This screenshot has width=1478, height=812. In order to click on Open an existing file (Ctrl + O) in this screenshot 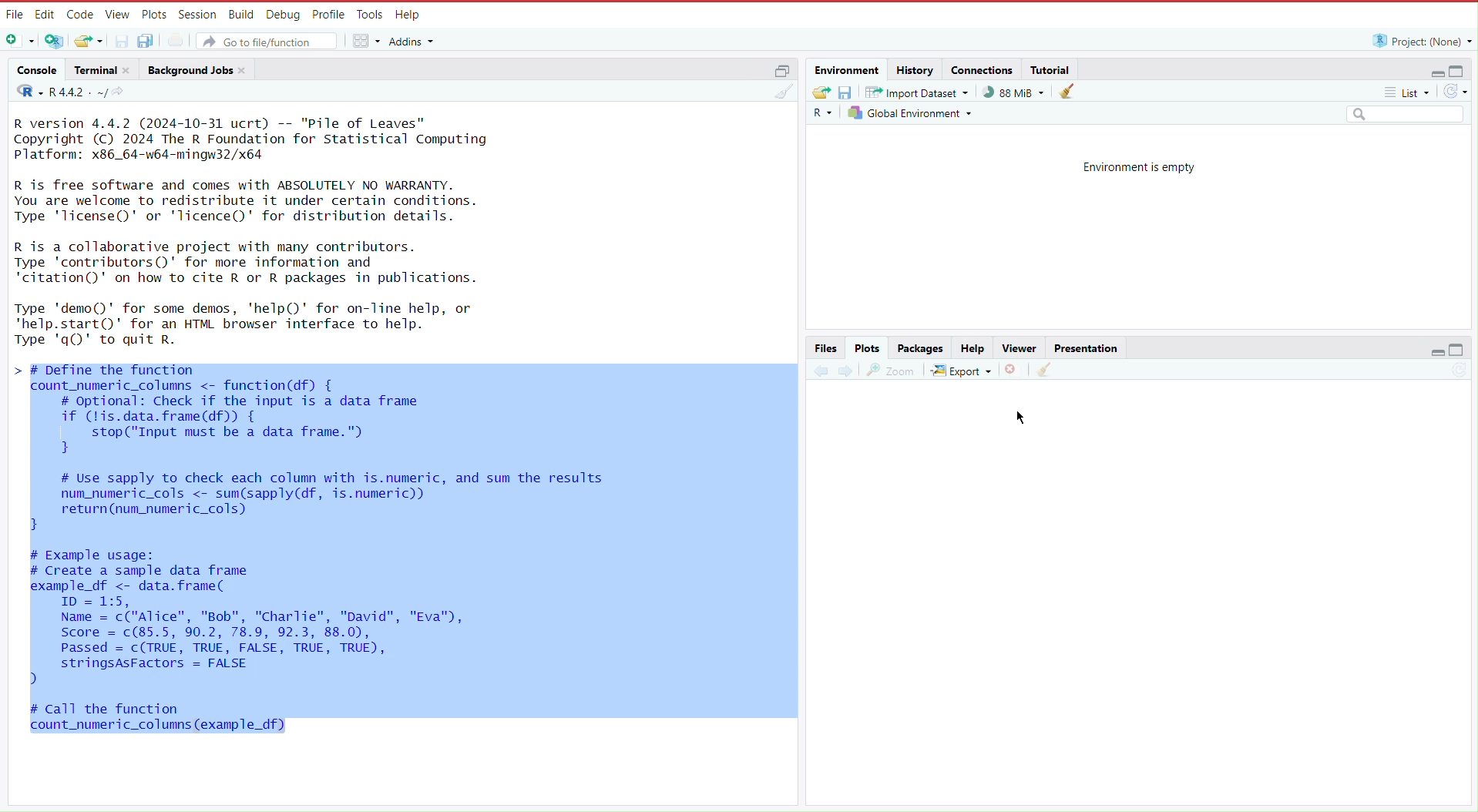, I will do `click(88, 40)`.